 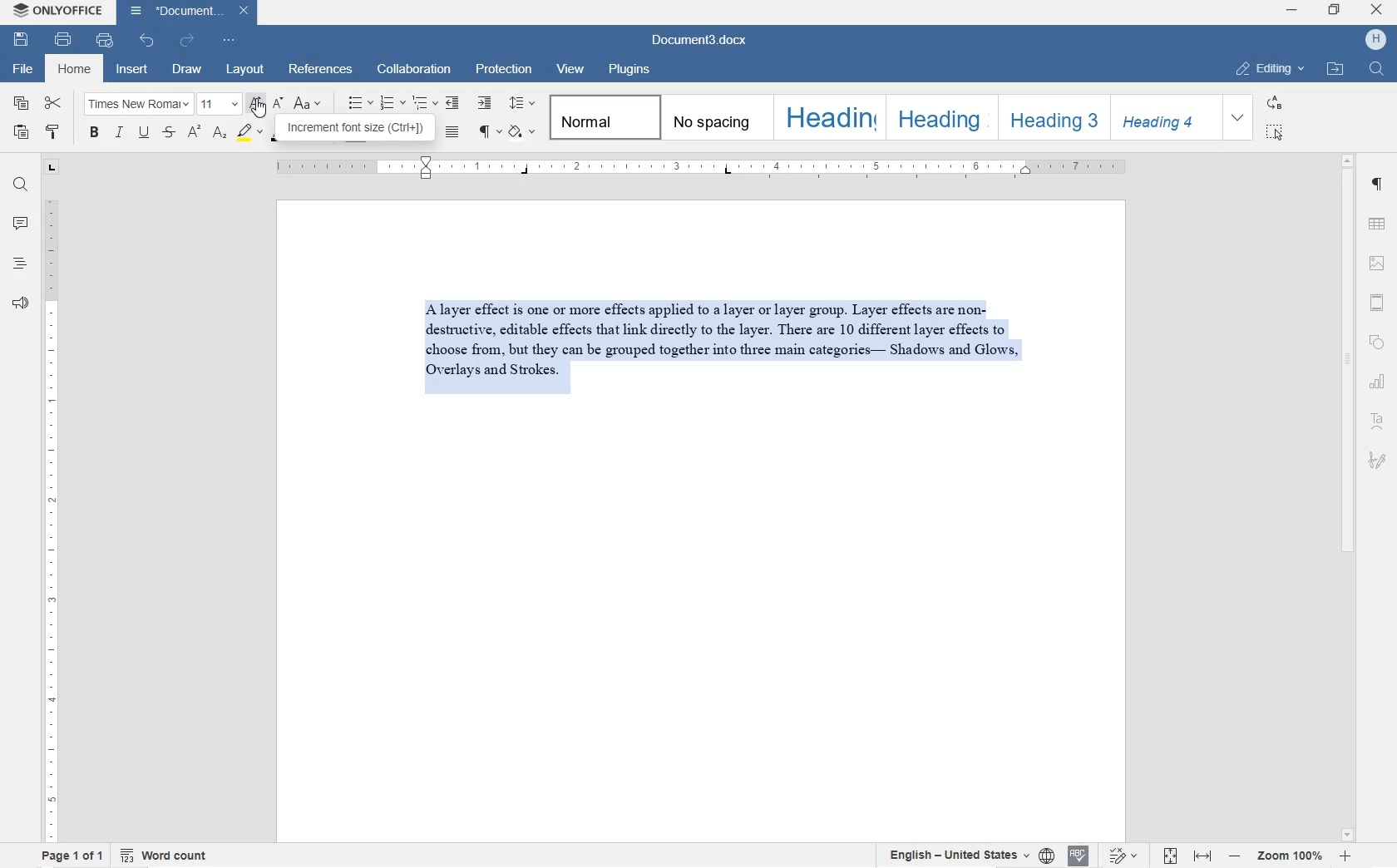 What do you see at coordinates (250, 132) in the screenshot?
I see `HIGHLIGHT COLOR` at bounding box center [250, 132].